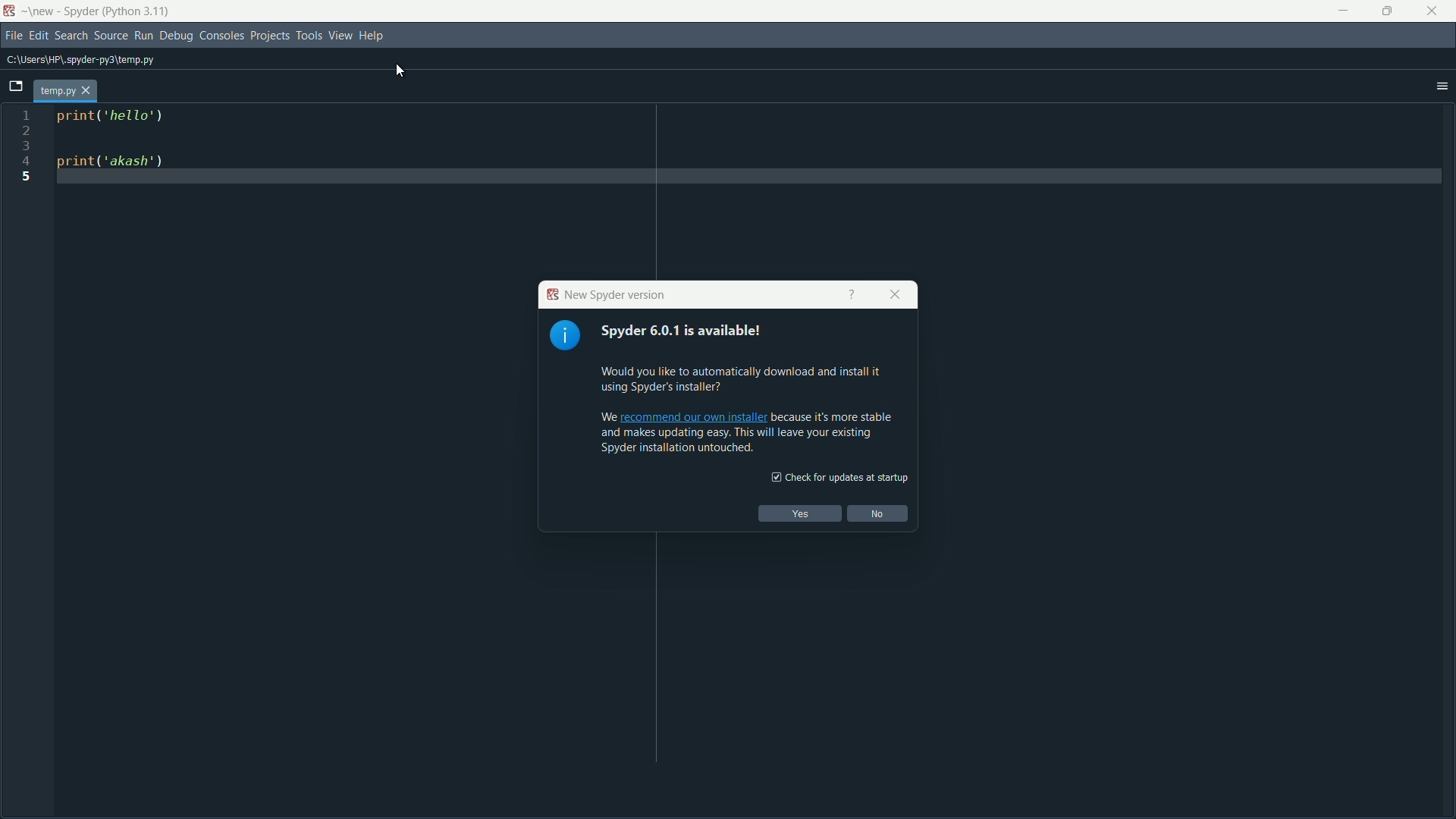  I want to click on view menu, so click(340, 35).